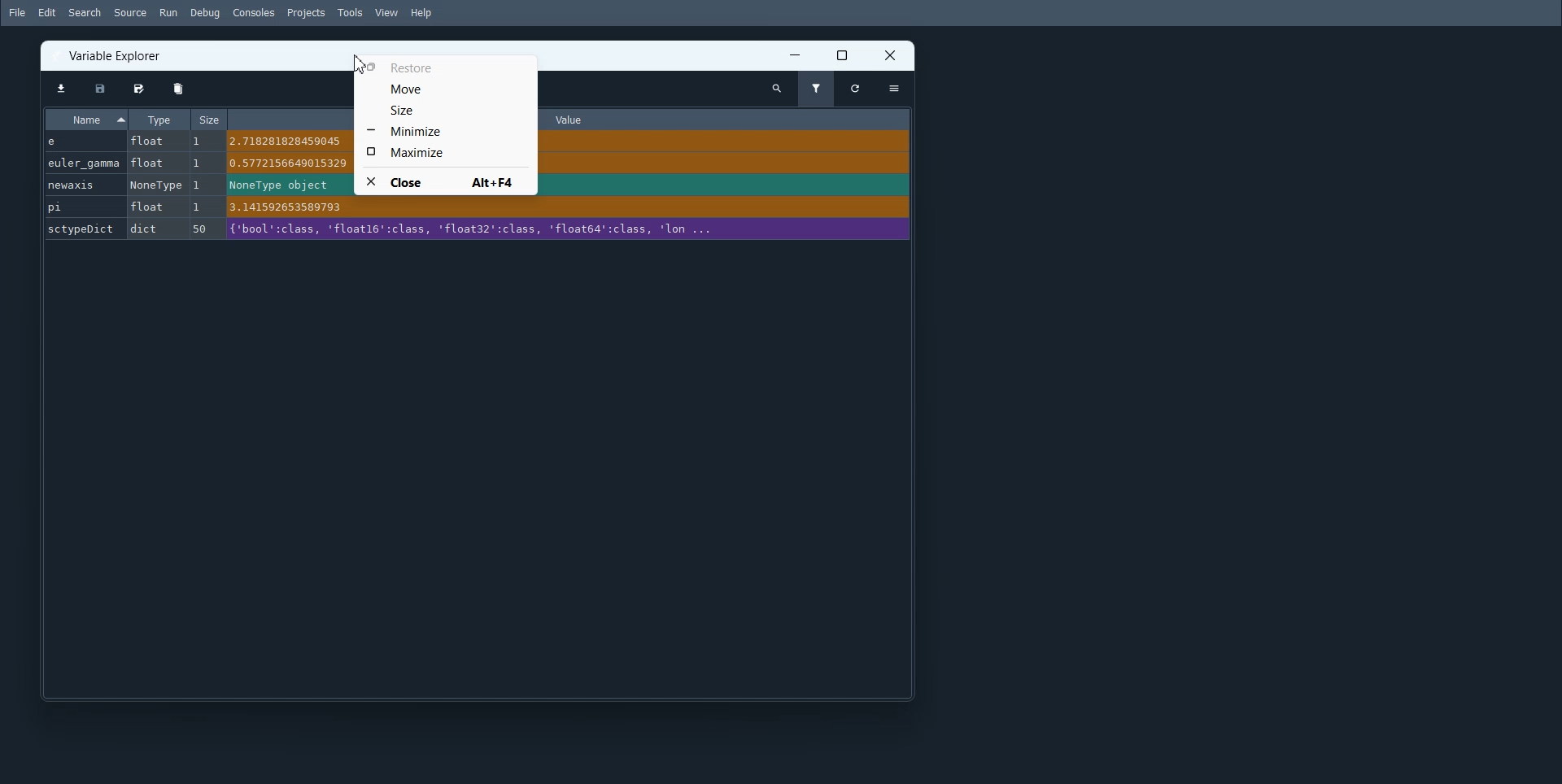 This screenshot has width=1562, height=784. Describe the element at coordinates (59, 88) in the screenshot. I see `Import Data` at that location.